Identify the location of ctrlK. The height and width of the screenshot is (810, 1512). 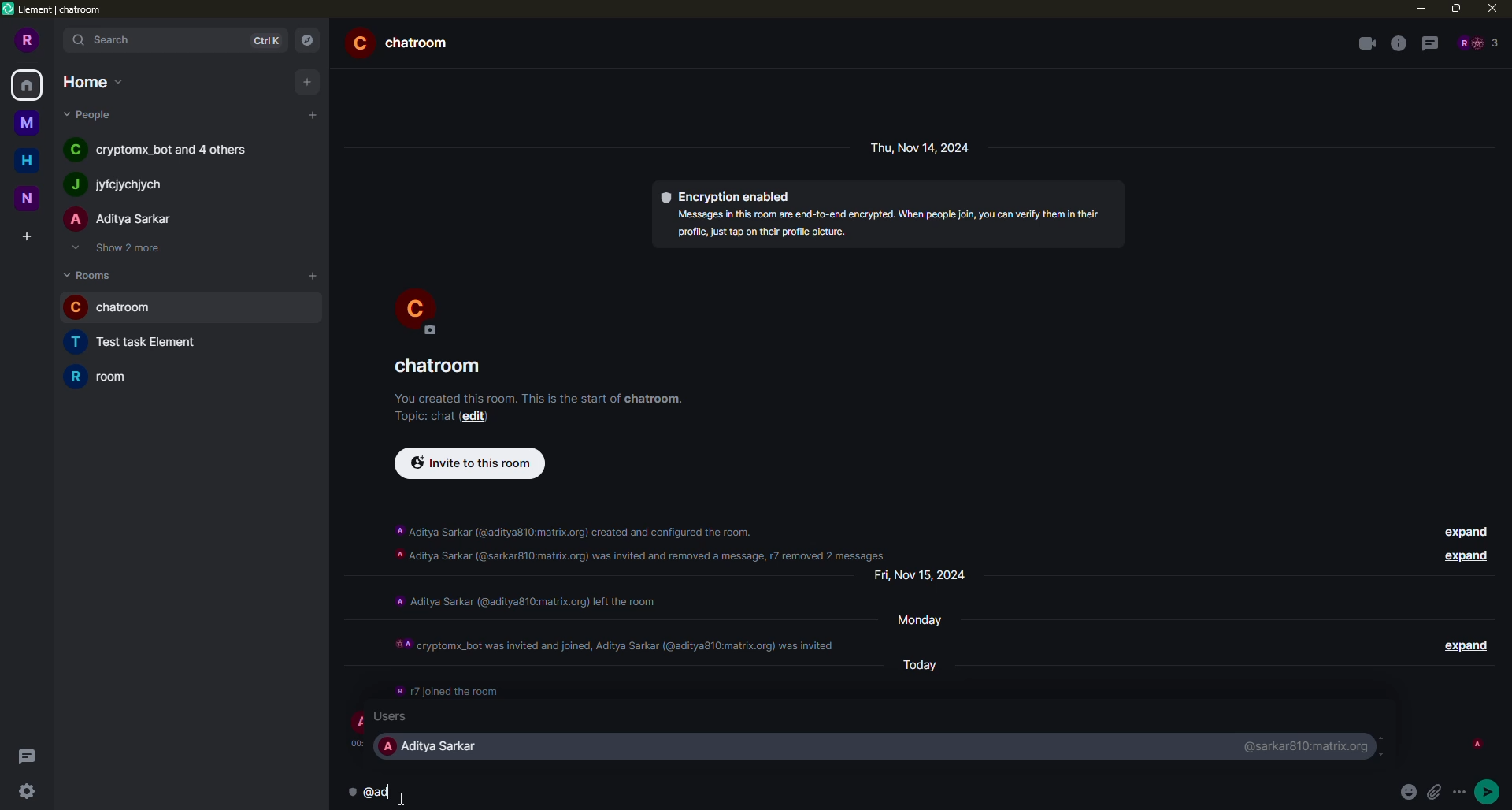
(263, 40).